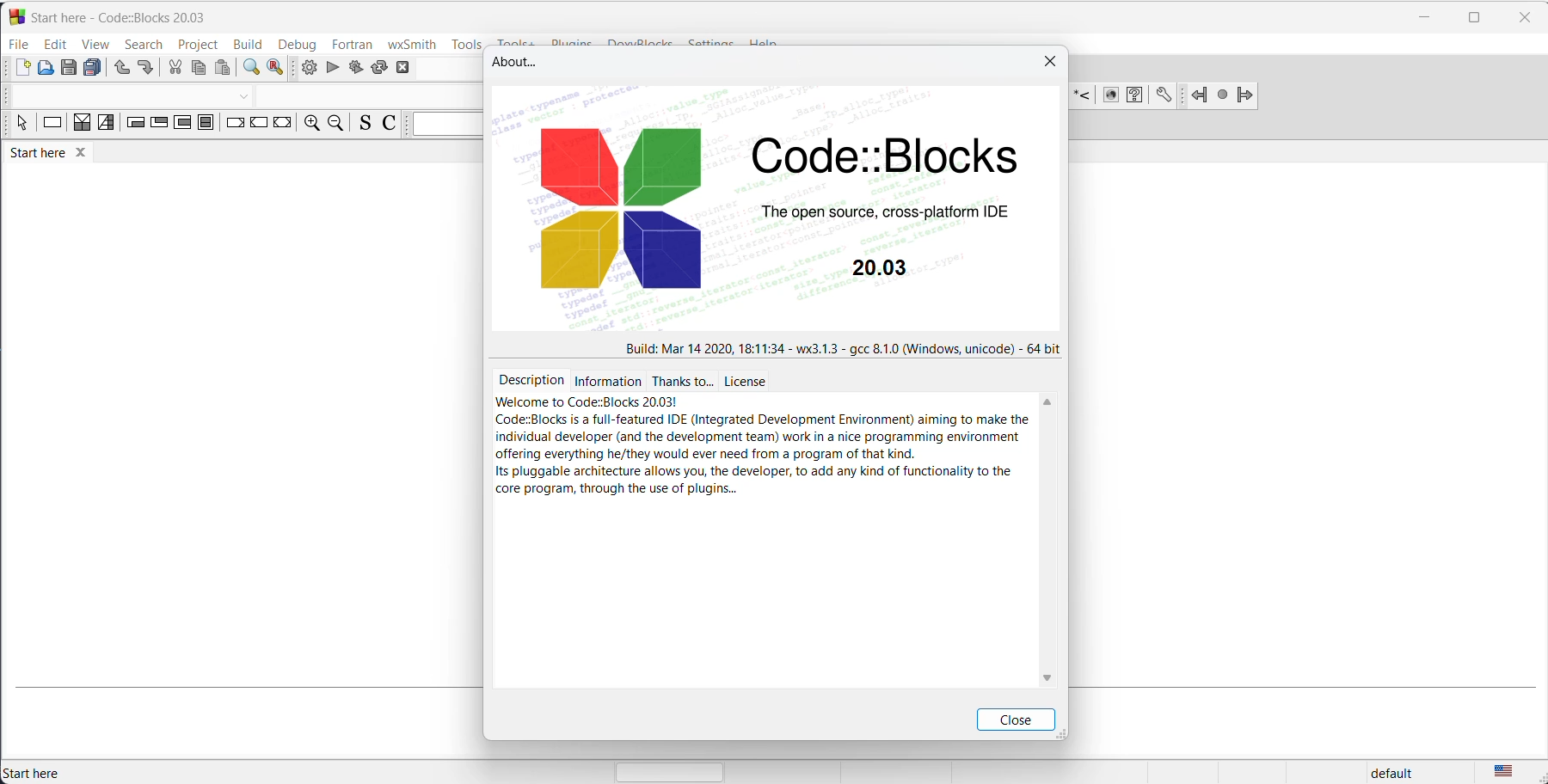 This screenshot has width=1548, height=784. What do you see at coordinates (105, 125) in the screenshot?
I see `selection` at bounding box center [105, 125].